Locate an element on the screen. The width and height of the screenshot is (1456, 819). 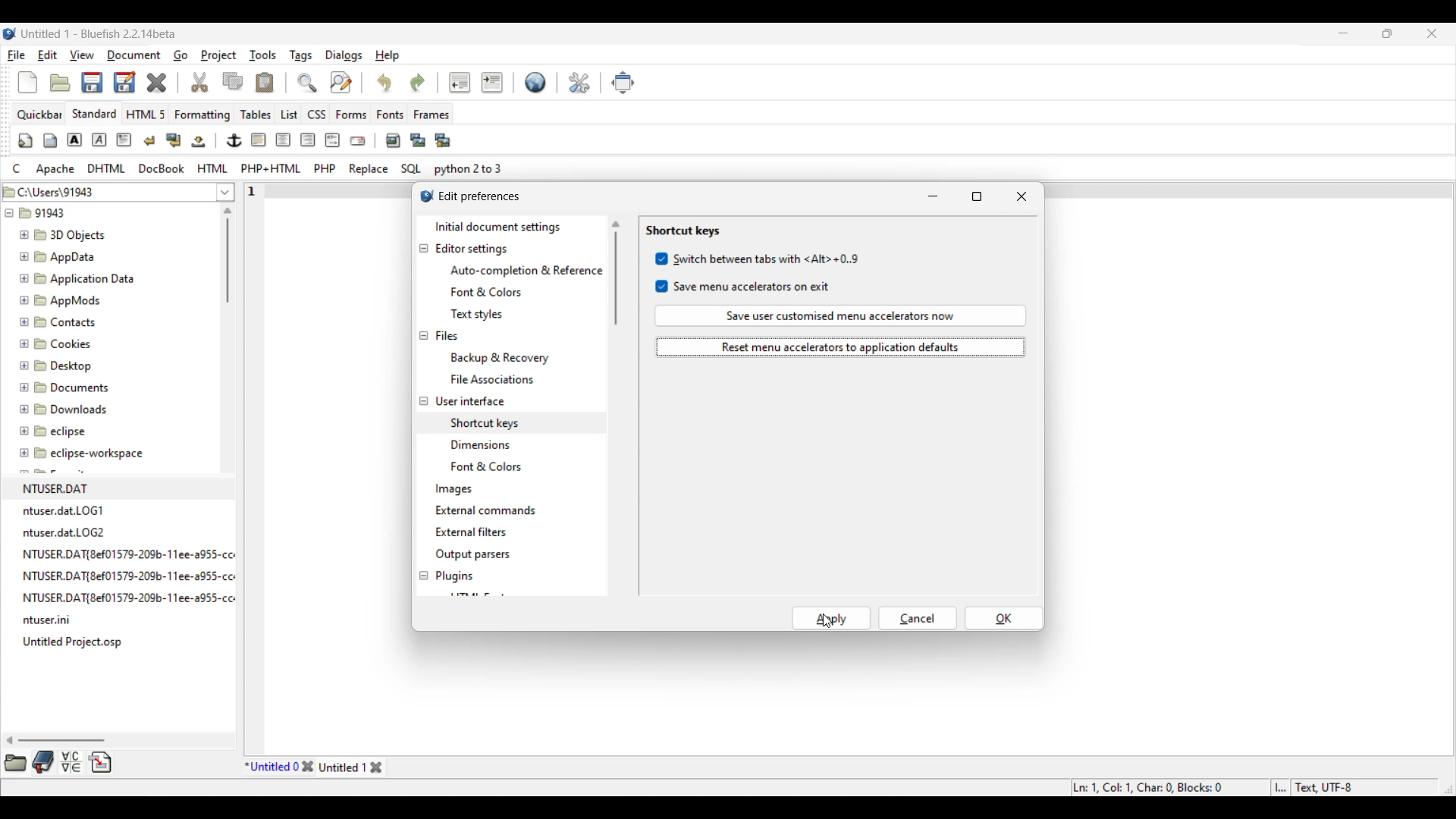
Reset menu accelerators to application defaults is located at coordinates (841, 347).